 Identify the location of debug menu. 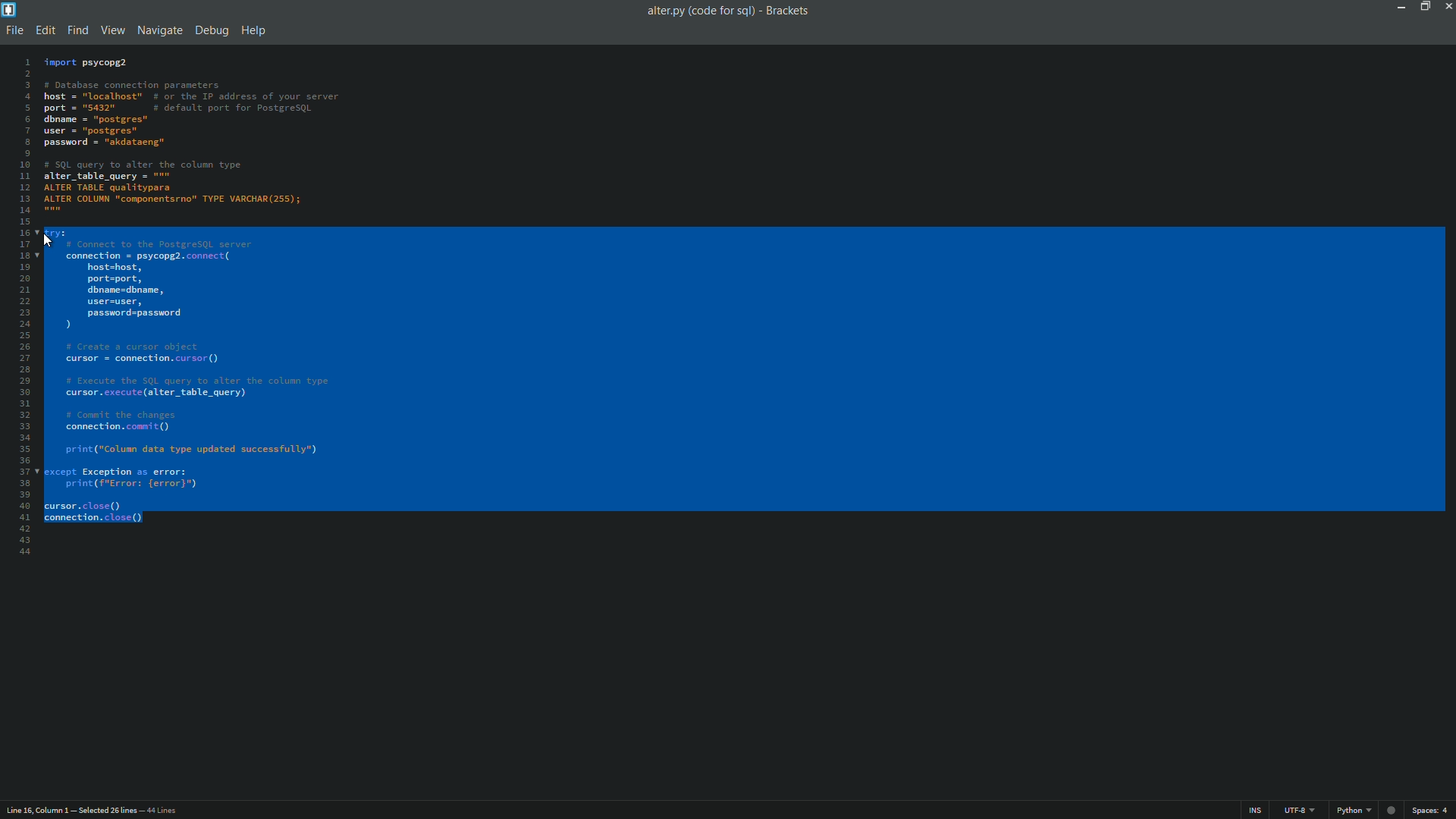
(209, 31).